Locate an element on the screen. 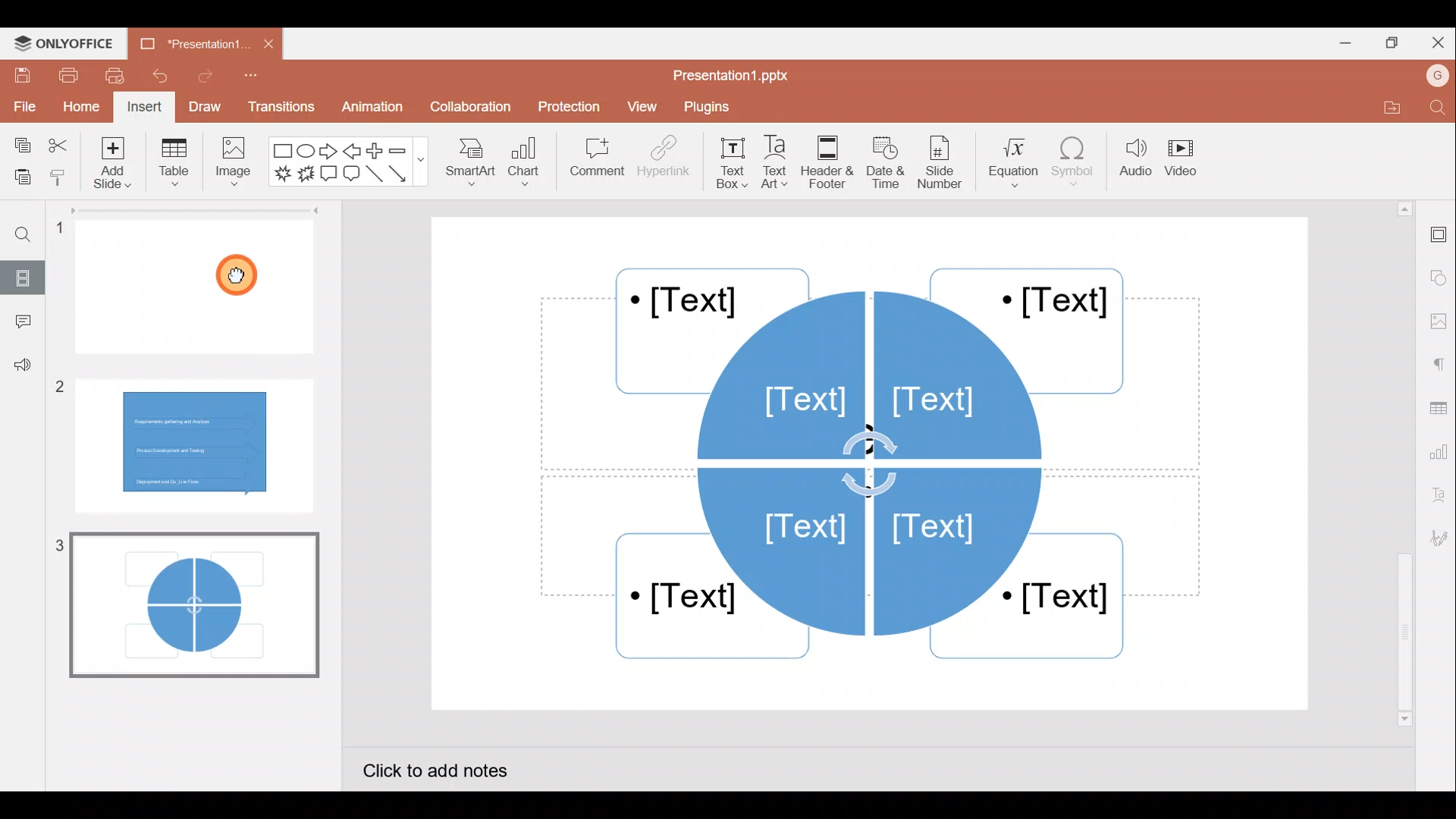 This screenshot has height=819, width=1456. Paragraph settings is located at coordinates (1441, 365).